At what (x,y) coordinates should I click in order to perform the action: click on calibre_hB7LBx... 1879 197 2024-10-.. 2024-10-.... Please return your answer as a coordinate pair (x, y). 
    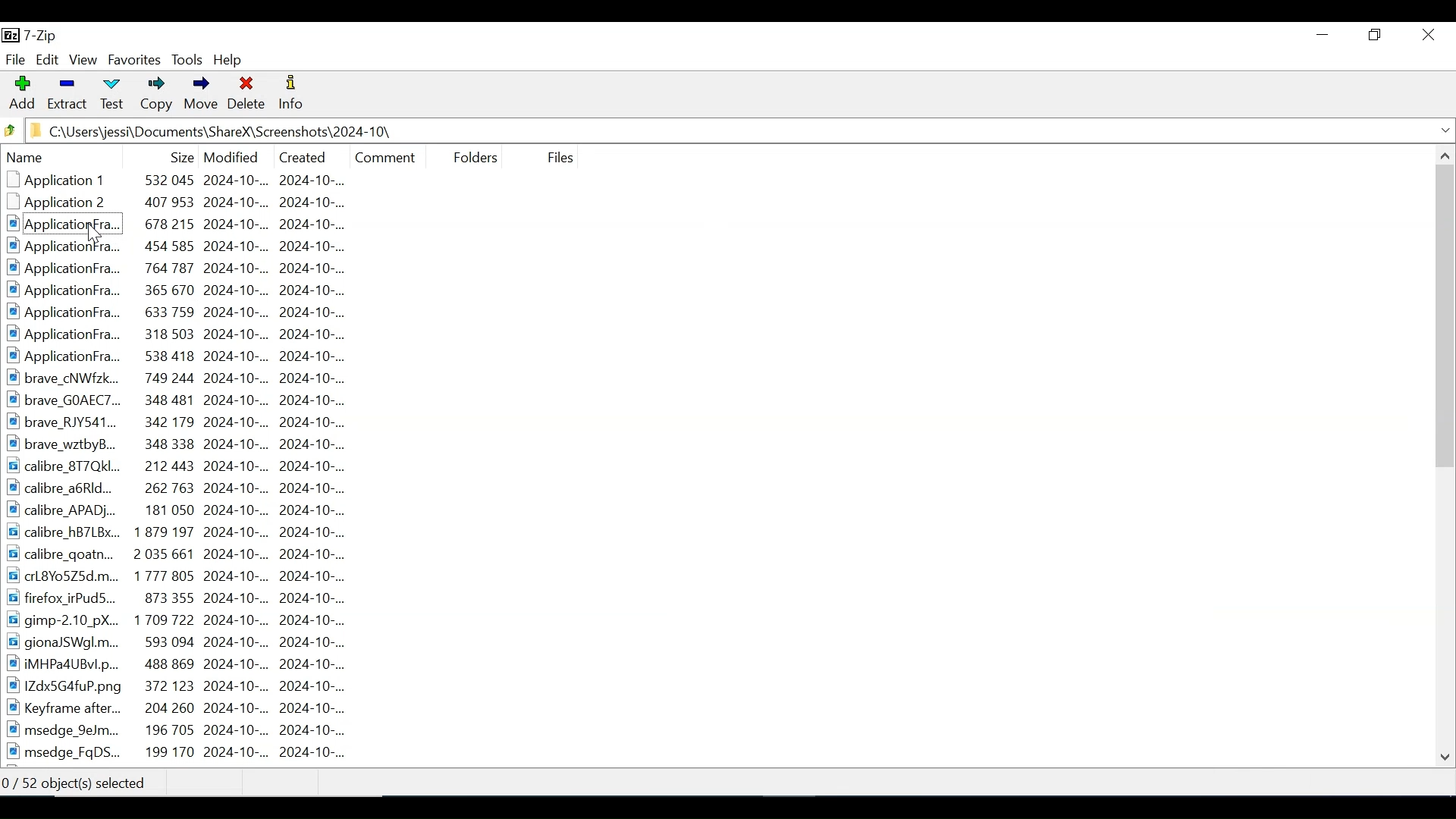
    Looking at the image, I should click on (187, 532).